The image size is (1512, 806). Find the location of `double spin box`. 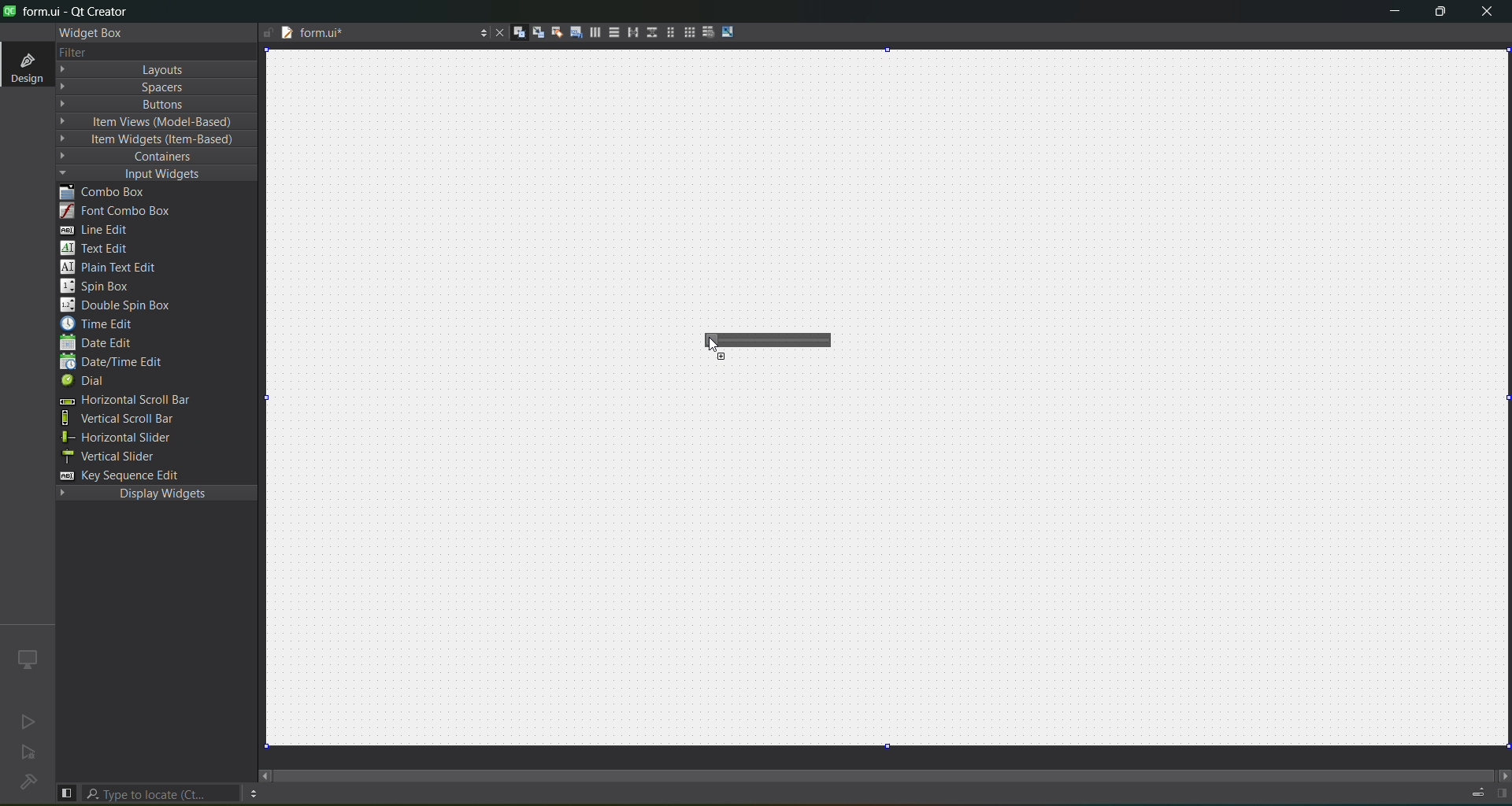

double spin box is located at coordinates (131, 305).